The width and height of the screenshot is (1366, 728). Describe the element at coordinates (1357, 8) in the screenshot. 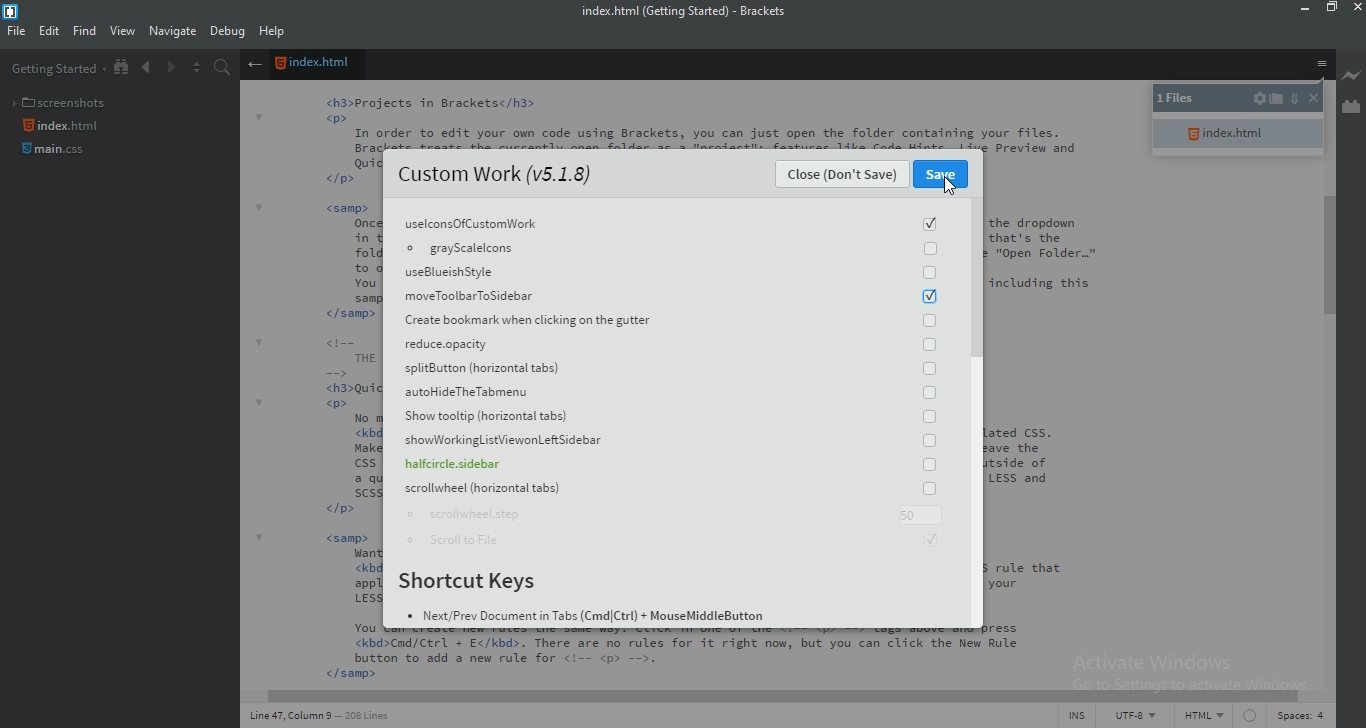

I see `close` at that location.